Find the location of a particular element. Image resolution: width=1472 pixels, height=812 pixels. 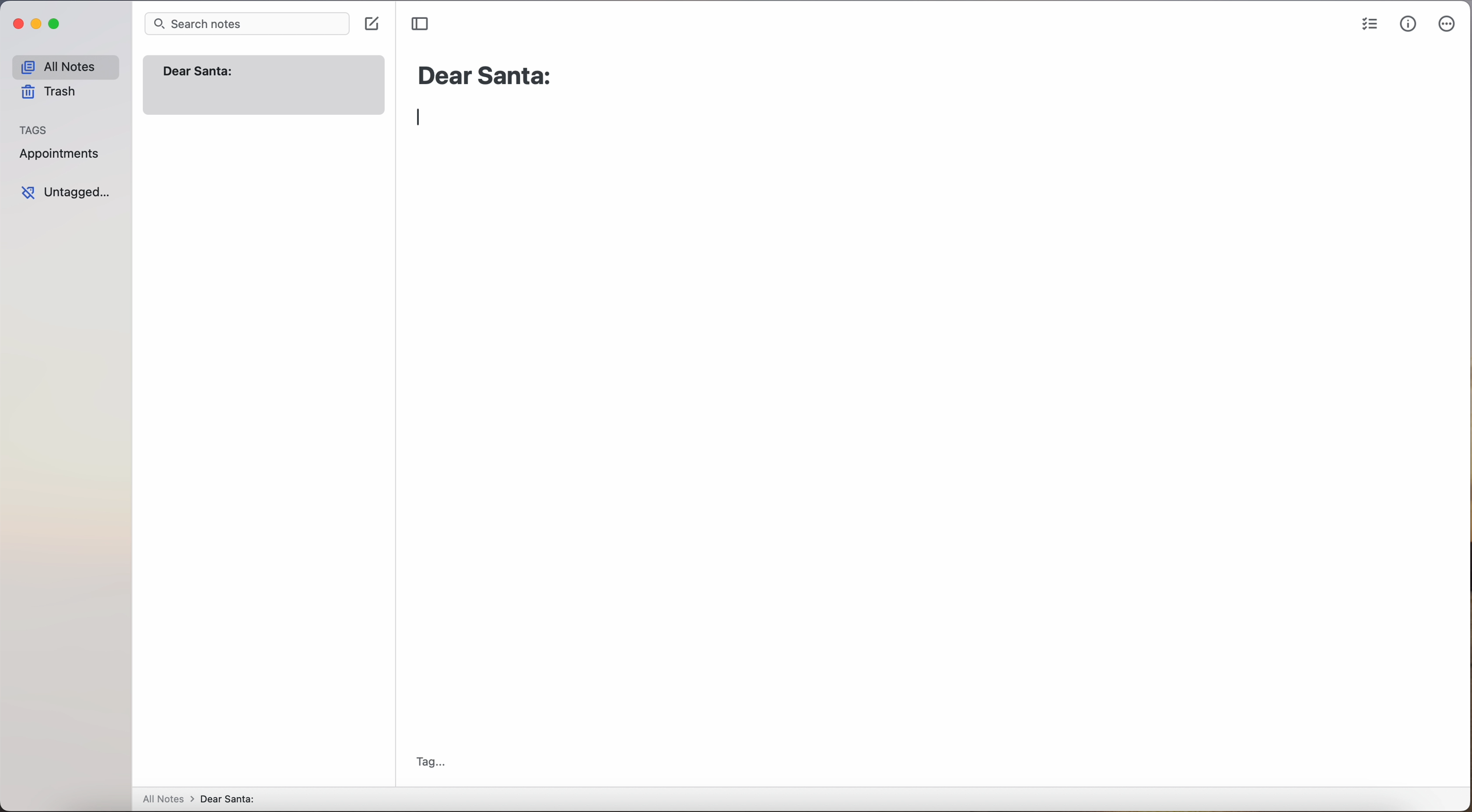

note is located at coordinates (264, 86).